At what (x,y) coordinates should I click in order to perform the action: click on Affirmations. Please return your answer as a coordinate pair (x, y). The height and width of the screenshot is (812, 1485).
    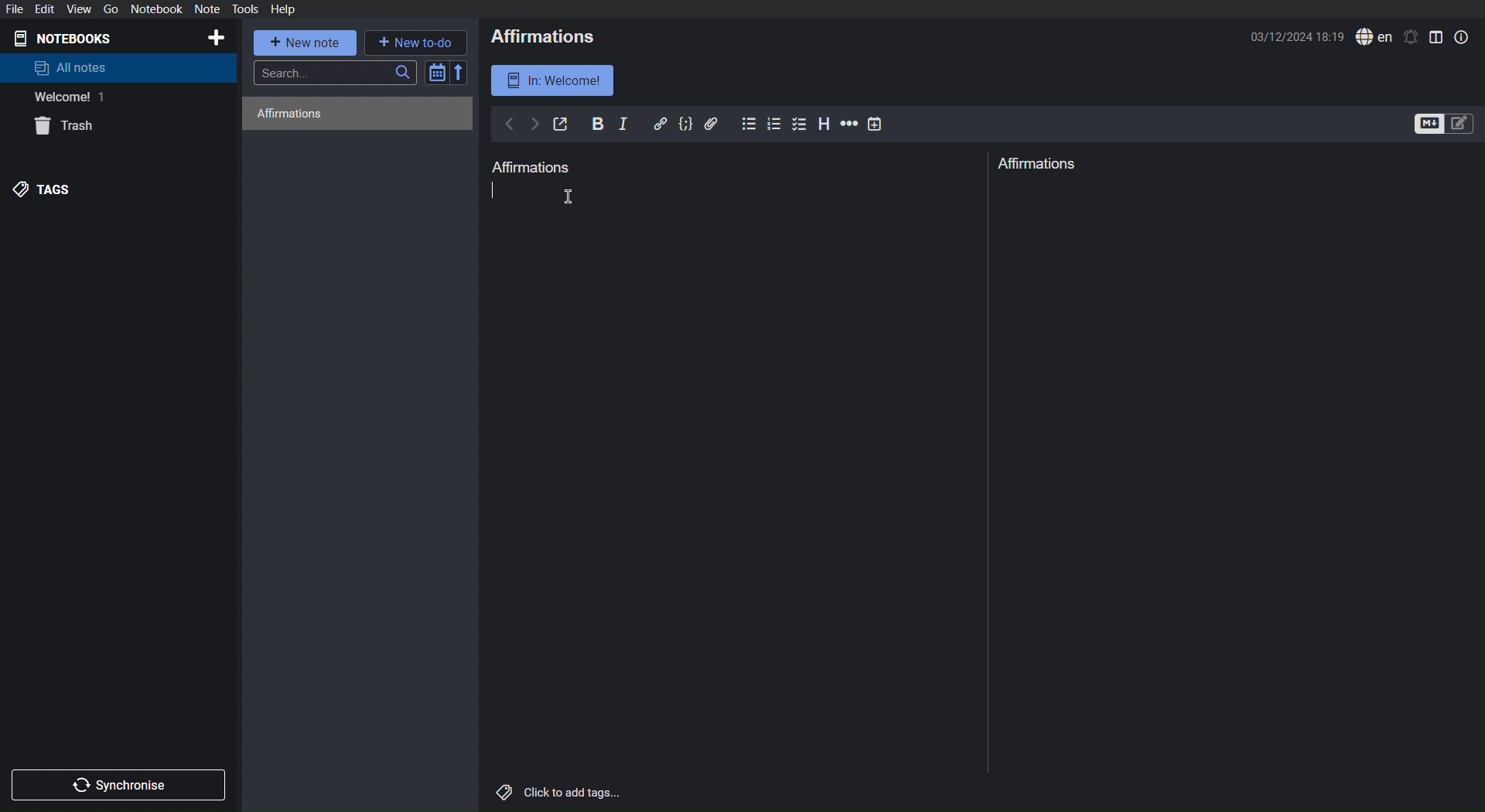
    Looking at the image, I should click on (288, 112).